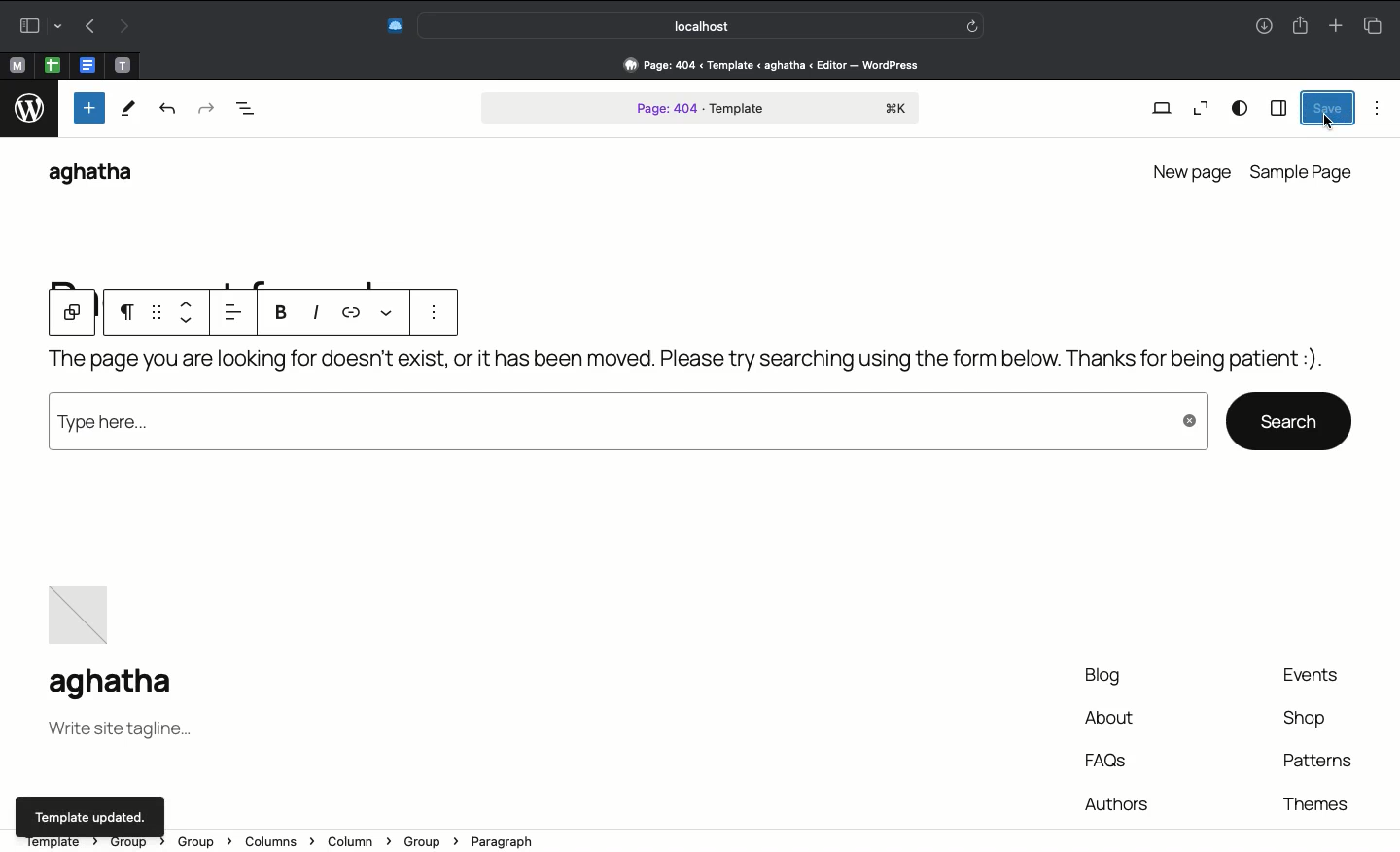  Describe the element at coordinates (87, 108) in the screenshot. I see `Add new block` at that location.